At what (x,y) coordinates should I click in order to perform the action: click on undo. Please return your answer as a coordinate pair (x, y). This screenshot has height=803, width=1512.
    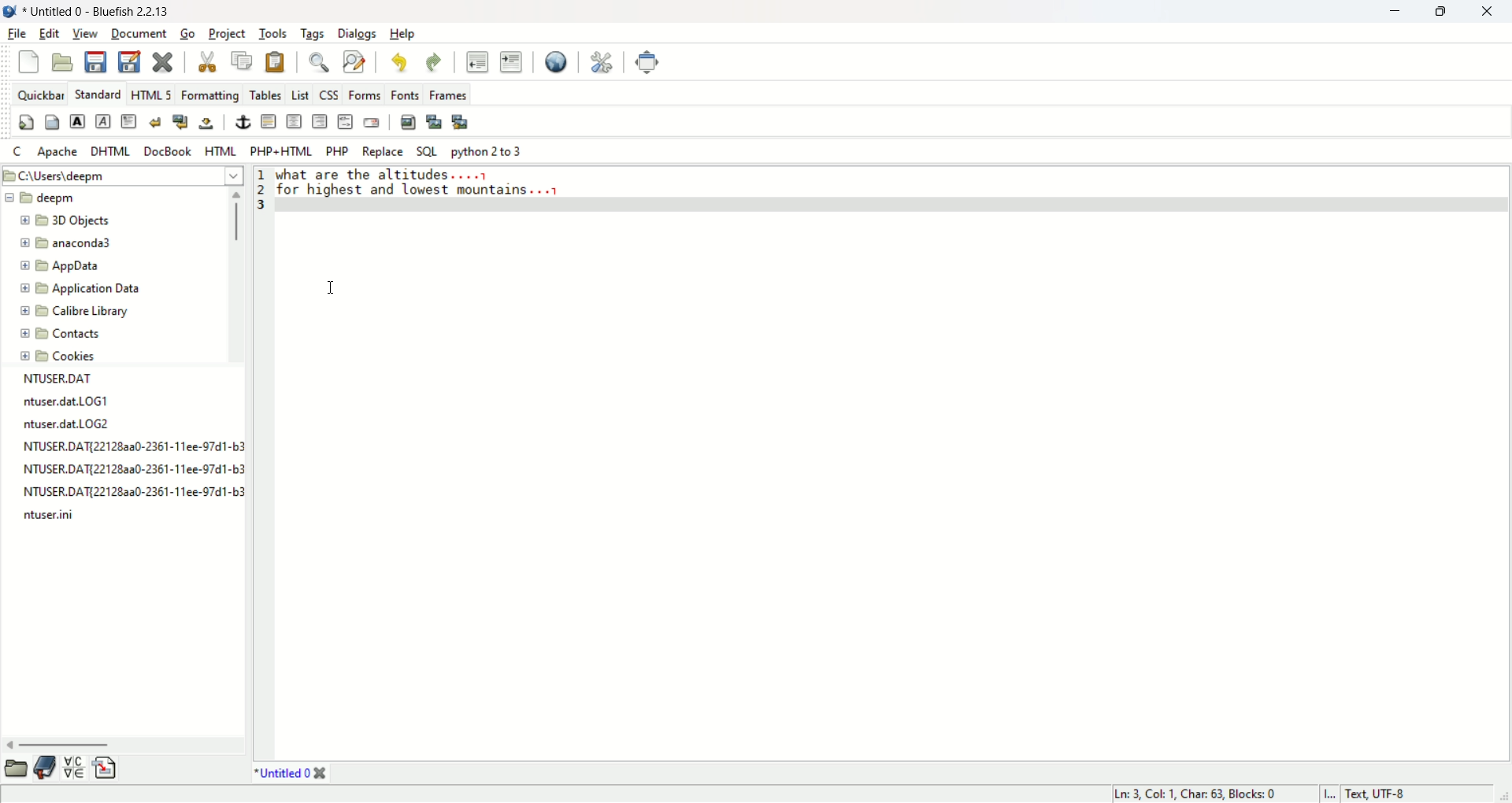
    Looking at the image, I should click on (399, 61).